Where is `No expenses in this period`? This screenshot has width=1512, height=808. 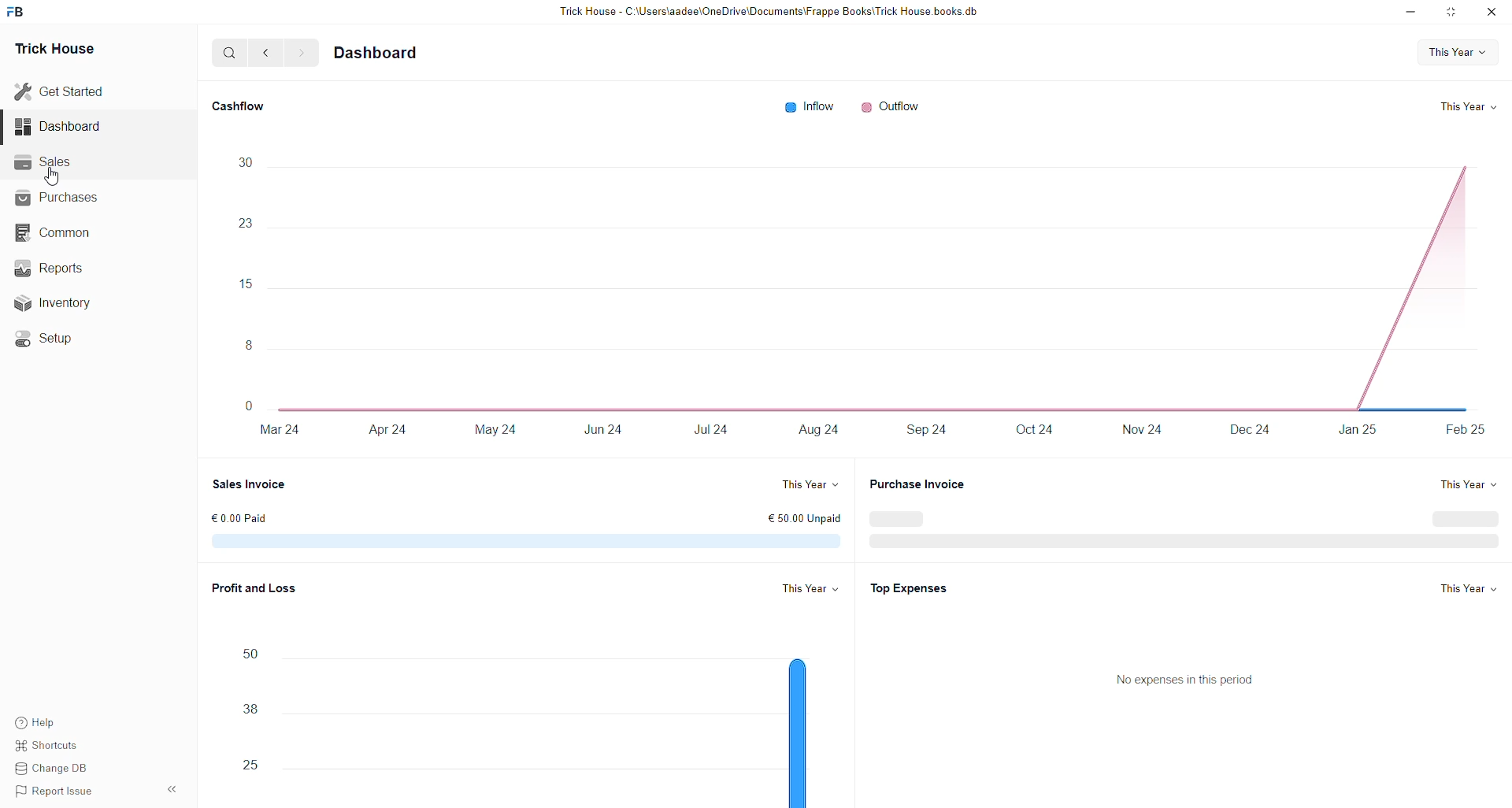 No expenses in this period is located at coordinates (1188, 680).